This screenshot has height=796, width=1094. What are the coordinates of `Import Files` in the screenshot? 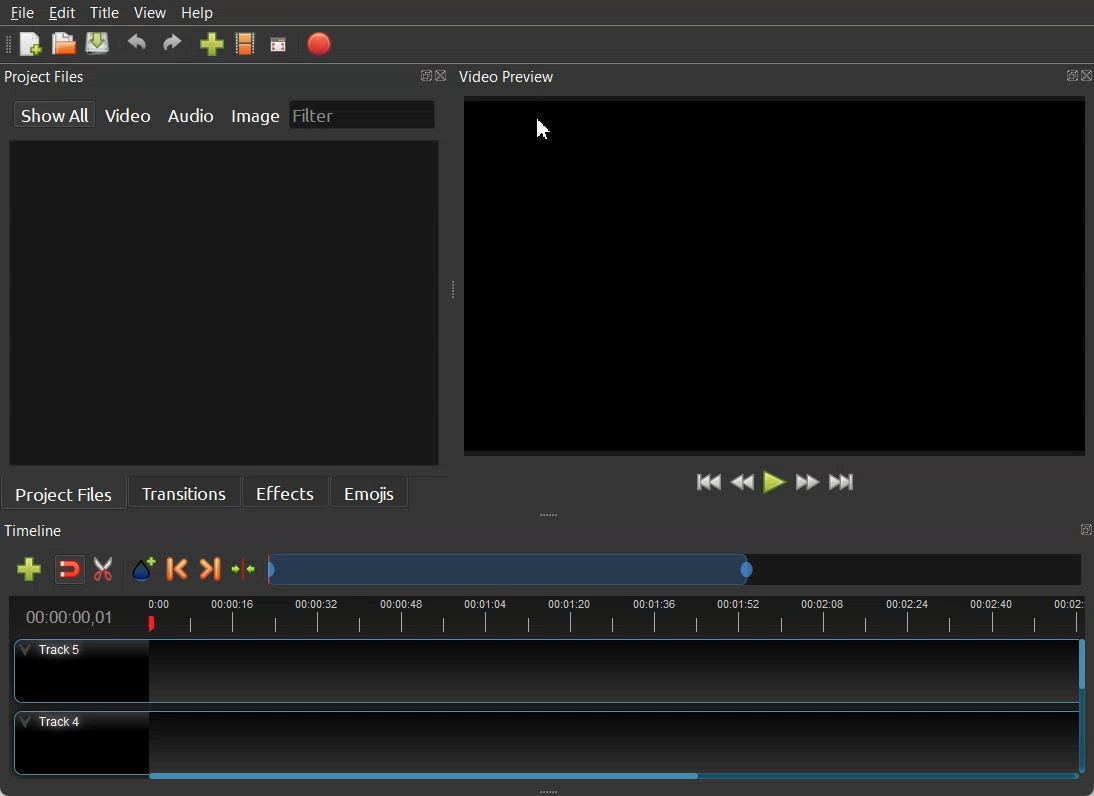 It's located at (214, 44).